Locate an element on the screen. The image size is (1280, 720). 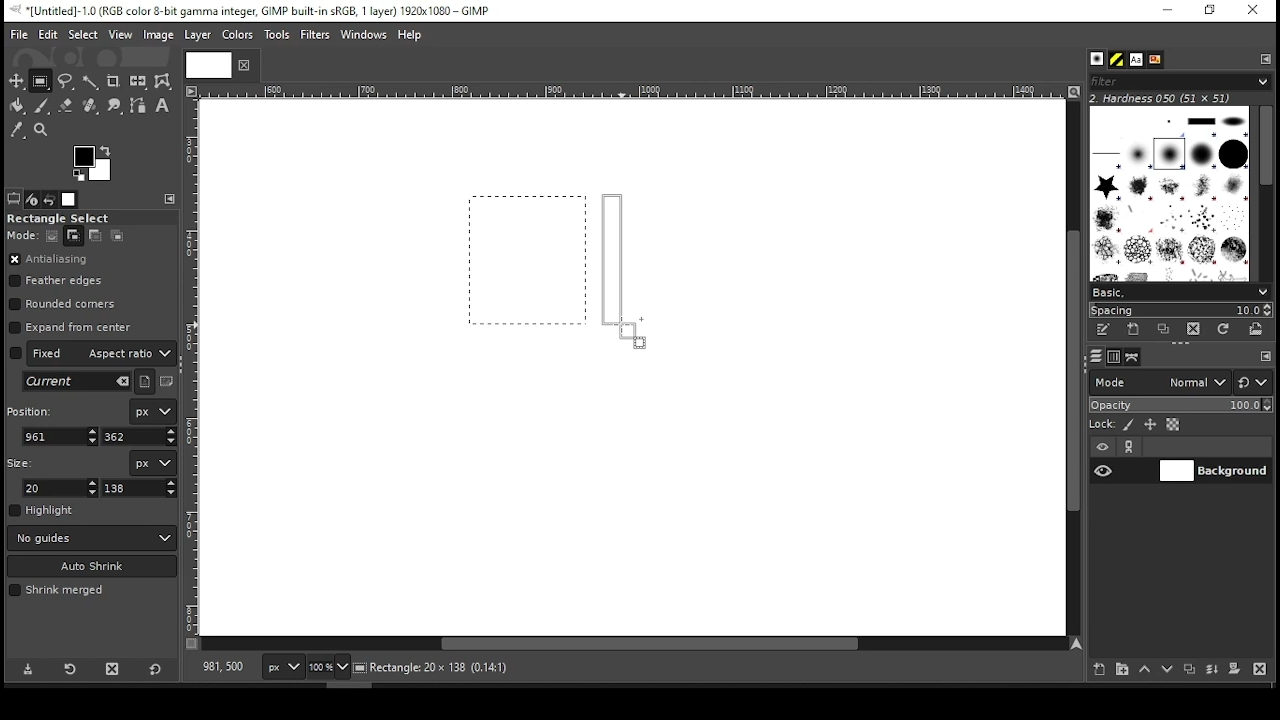
move: is located at coordinates (22, 235).